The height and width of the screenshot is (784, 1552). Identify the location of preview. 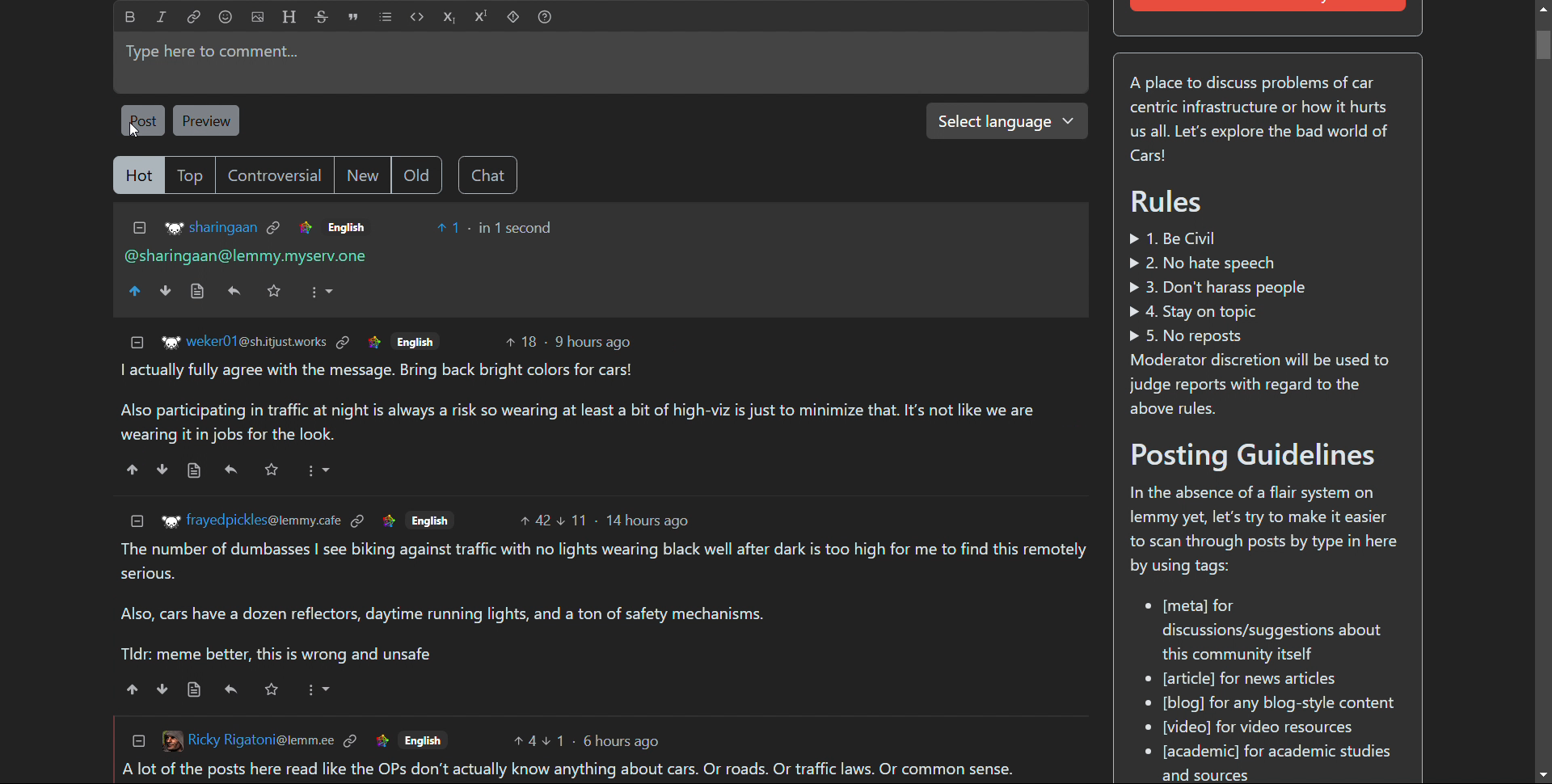
(208, 120).